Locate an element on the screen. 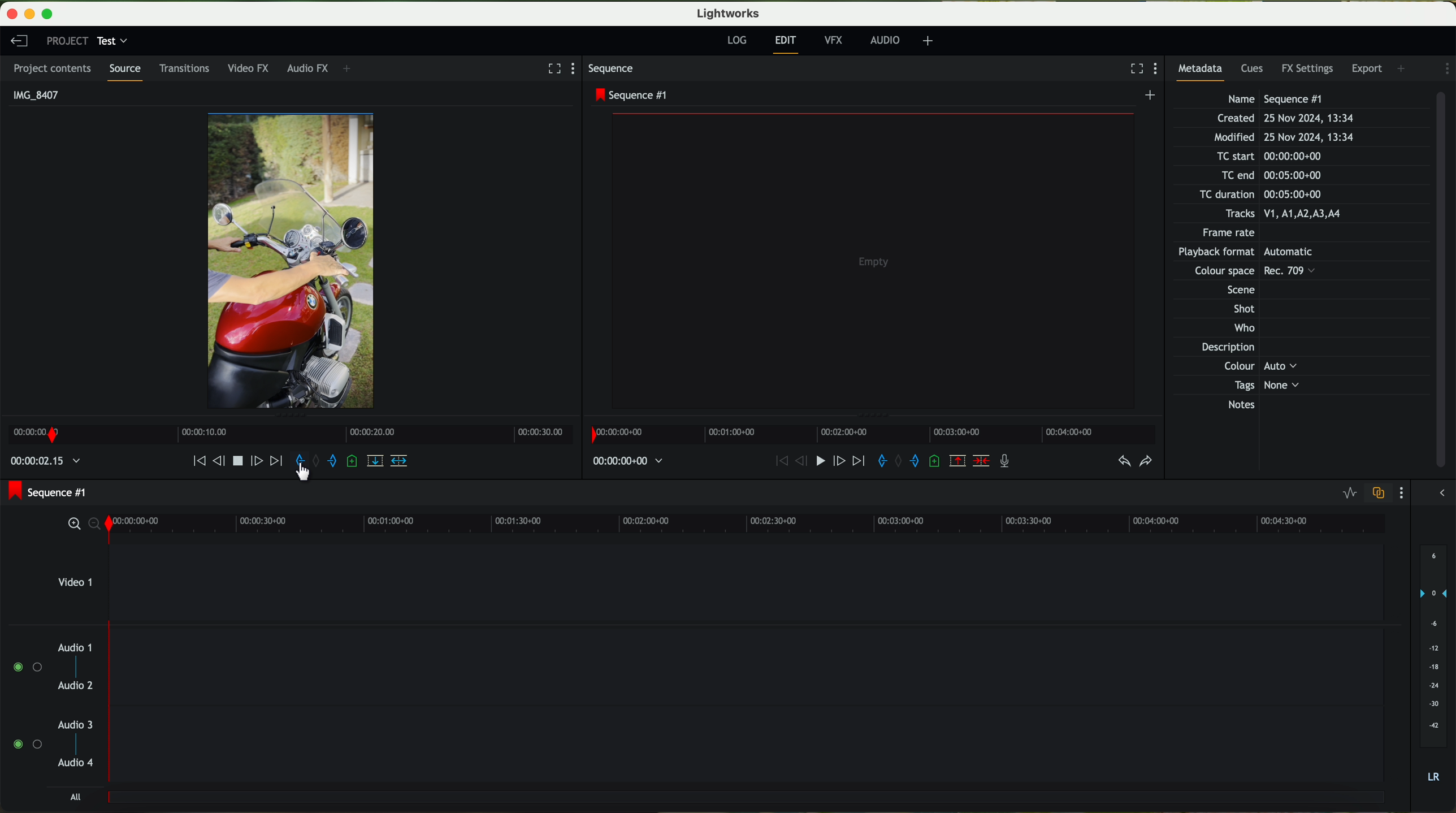 This screenshot has width=1456, height=813. audio 4 is located at coordinates (76, 766).